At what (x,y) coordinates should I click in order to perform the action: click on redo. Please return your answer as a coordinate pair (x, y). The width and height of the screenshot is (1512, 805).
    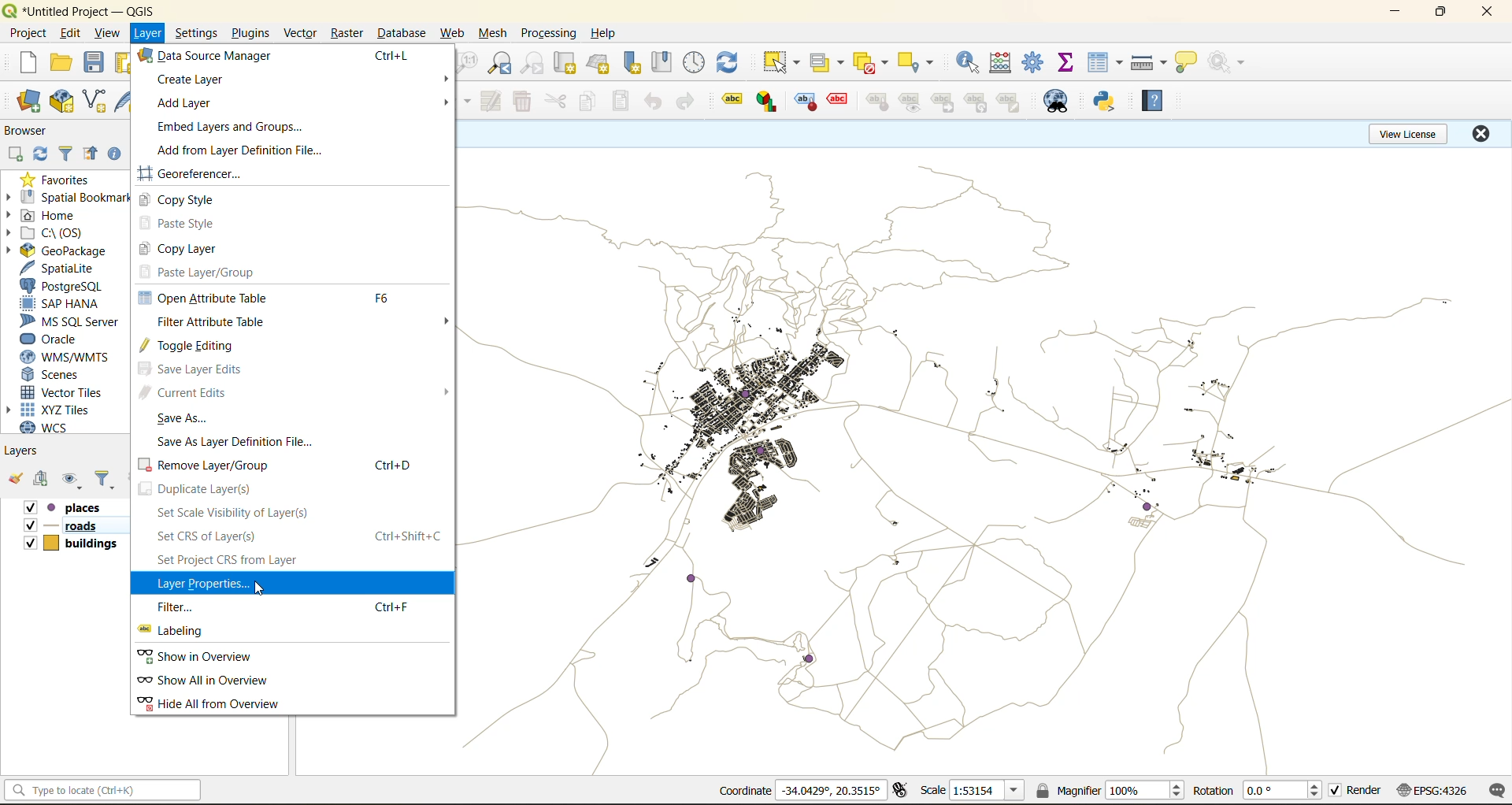
    Looking at the image, I should click on (691, 102).